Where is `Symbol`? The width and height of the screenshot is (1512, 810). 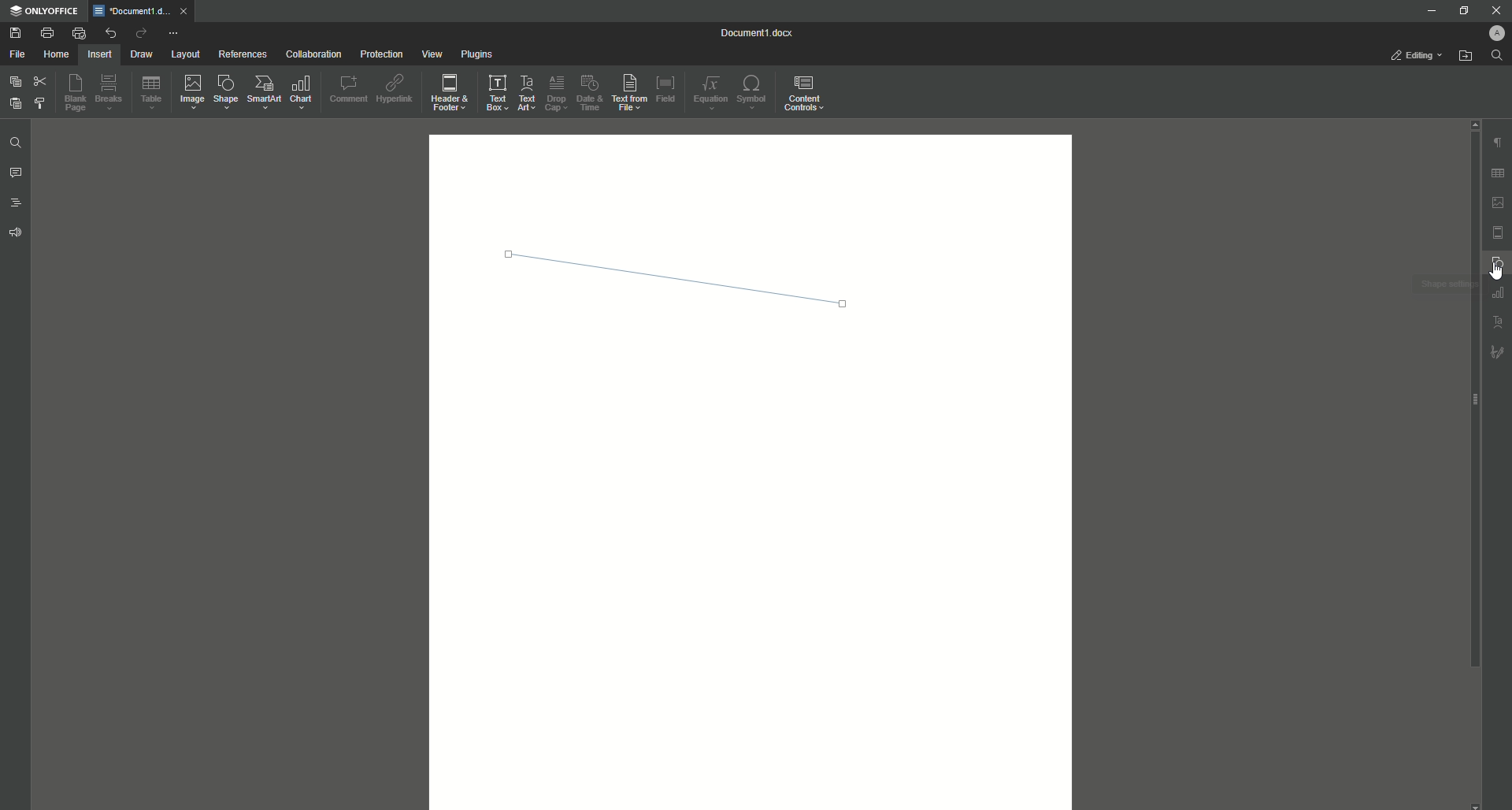 Symbol is located at coordinates (754, 94).